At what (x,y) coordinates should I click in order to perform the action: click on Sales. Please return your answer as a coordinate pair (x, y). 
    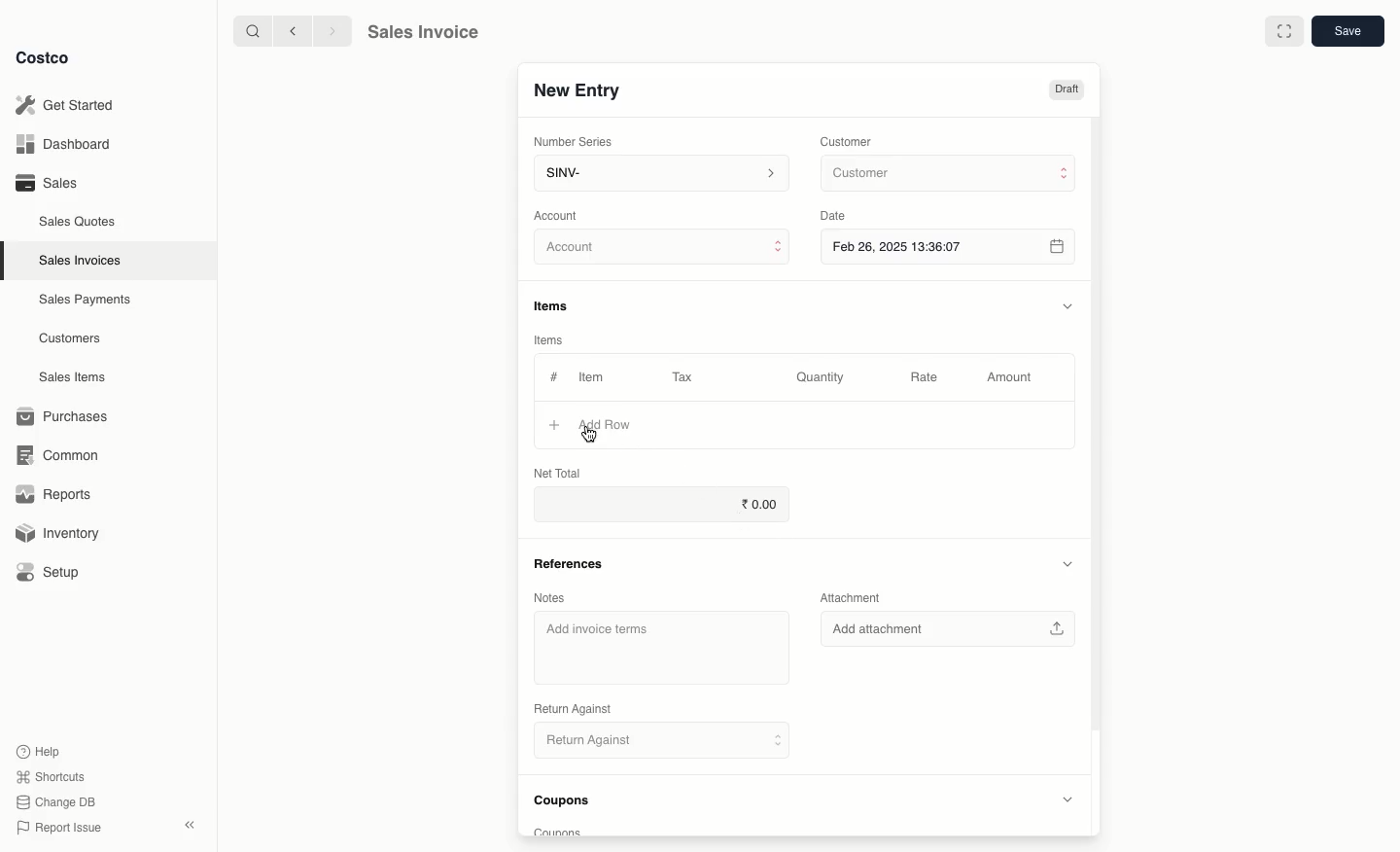
    Looking at the image, I should click on (46, 183).